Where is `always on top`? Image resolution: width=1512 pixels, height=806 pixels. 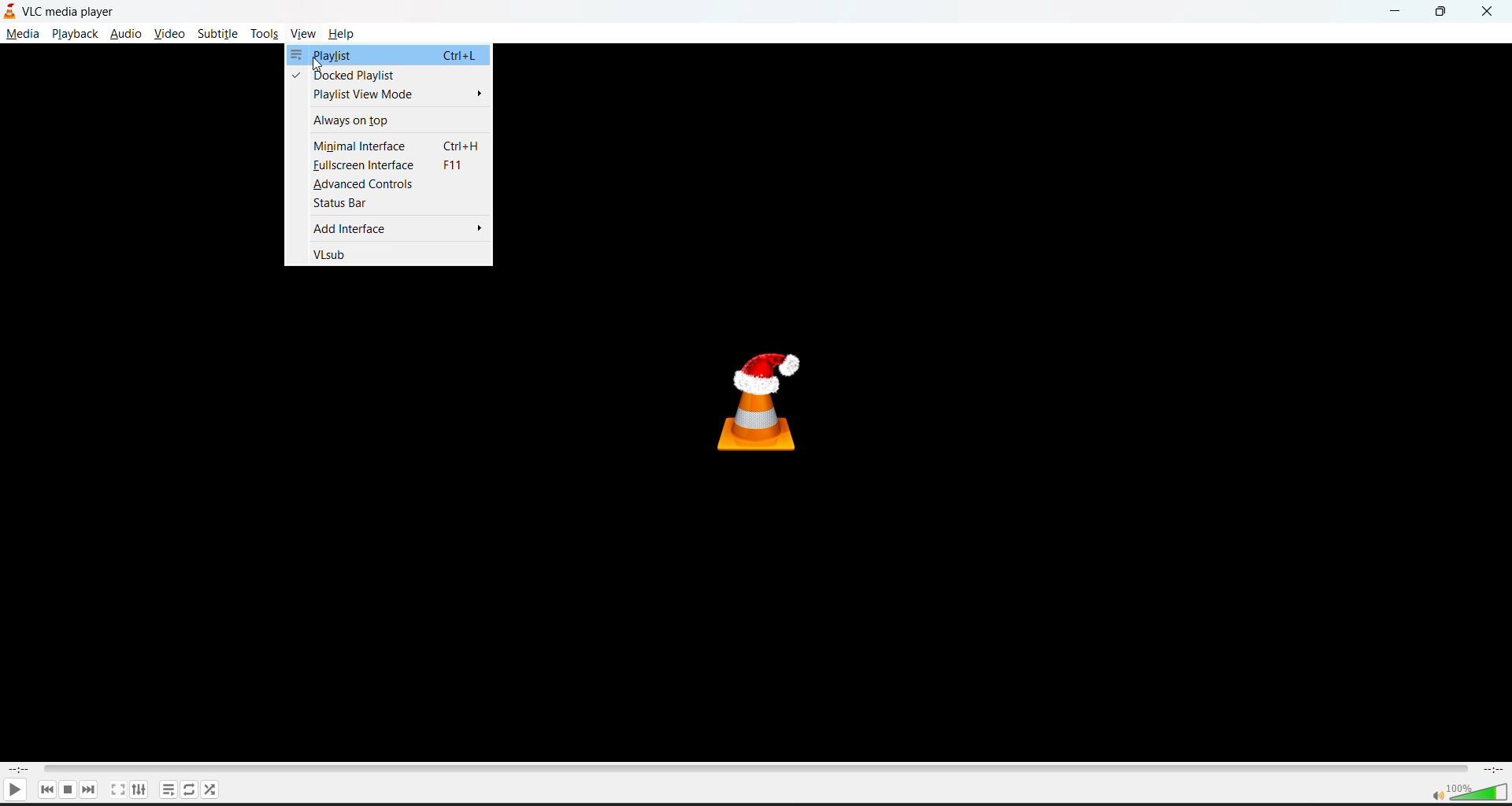
always on top is located at coordinates (386, 121).